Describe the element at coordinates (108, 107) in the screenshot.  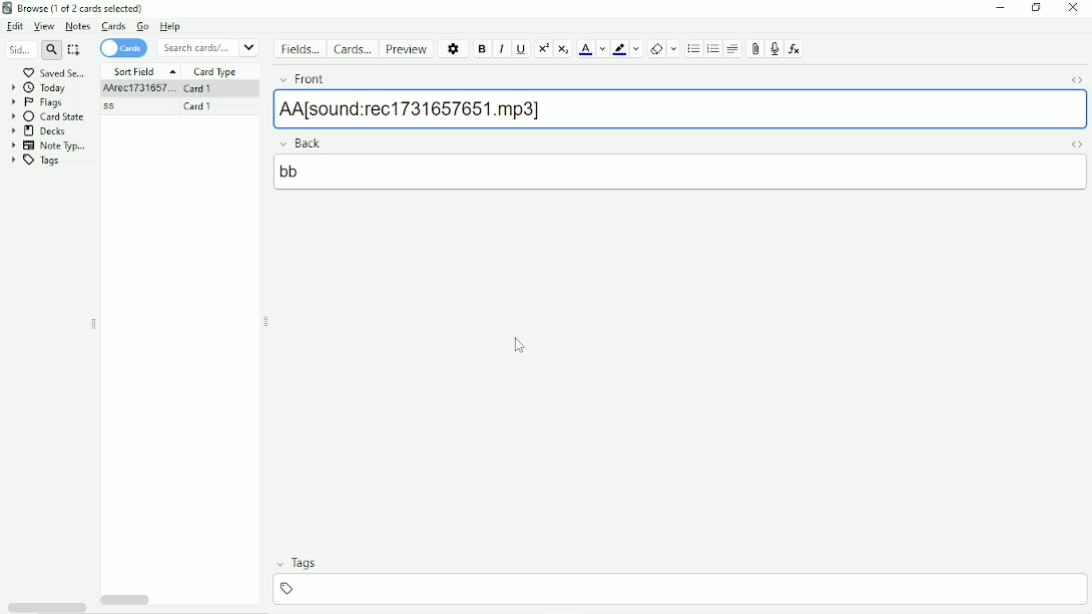
I see `ss` at that location.